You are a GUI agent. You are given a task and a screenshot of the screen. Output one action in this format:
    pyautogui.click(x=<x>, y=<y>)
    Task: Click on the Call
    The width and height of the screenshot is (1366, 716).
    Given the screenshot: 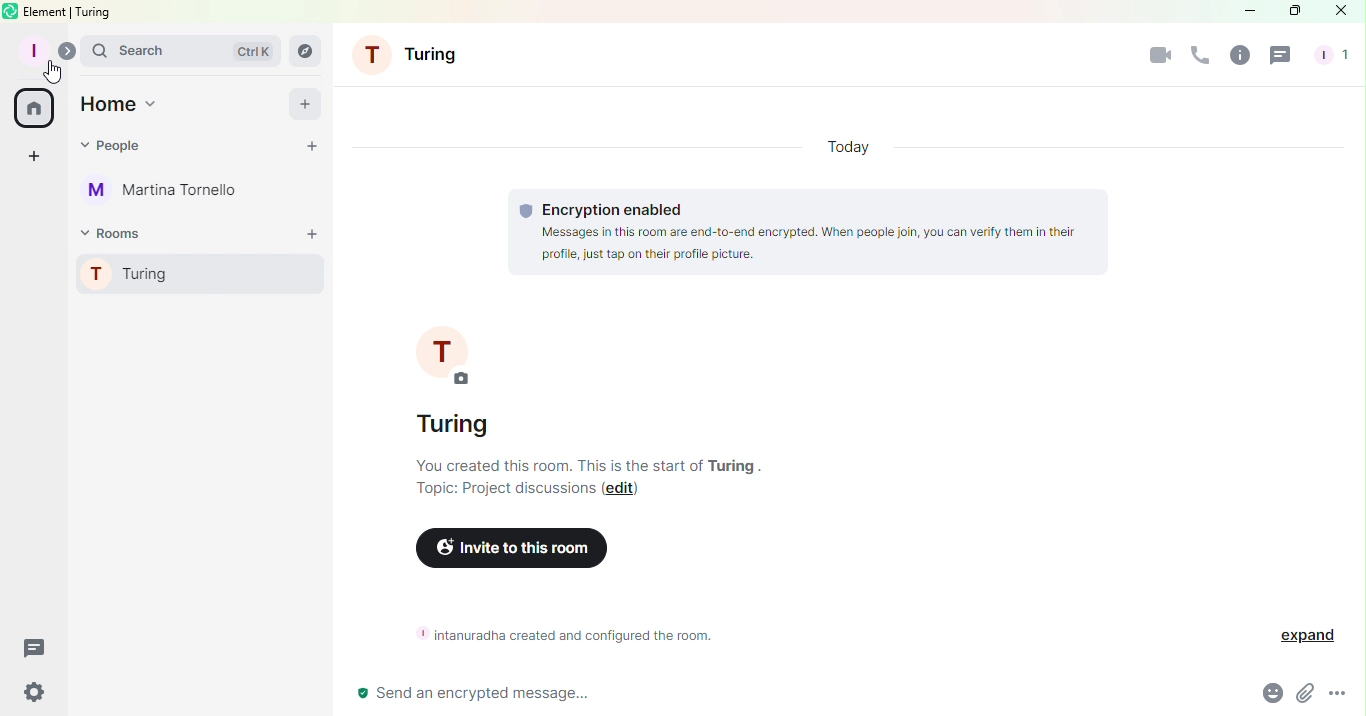 What is the action you would take?
    pyautogui.click(x=1196, y=59)
    